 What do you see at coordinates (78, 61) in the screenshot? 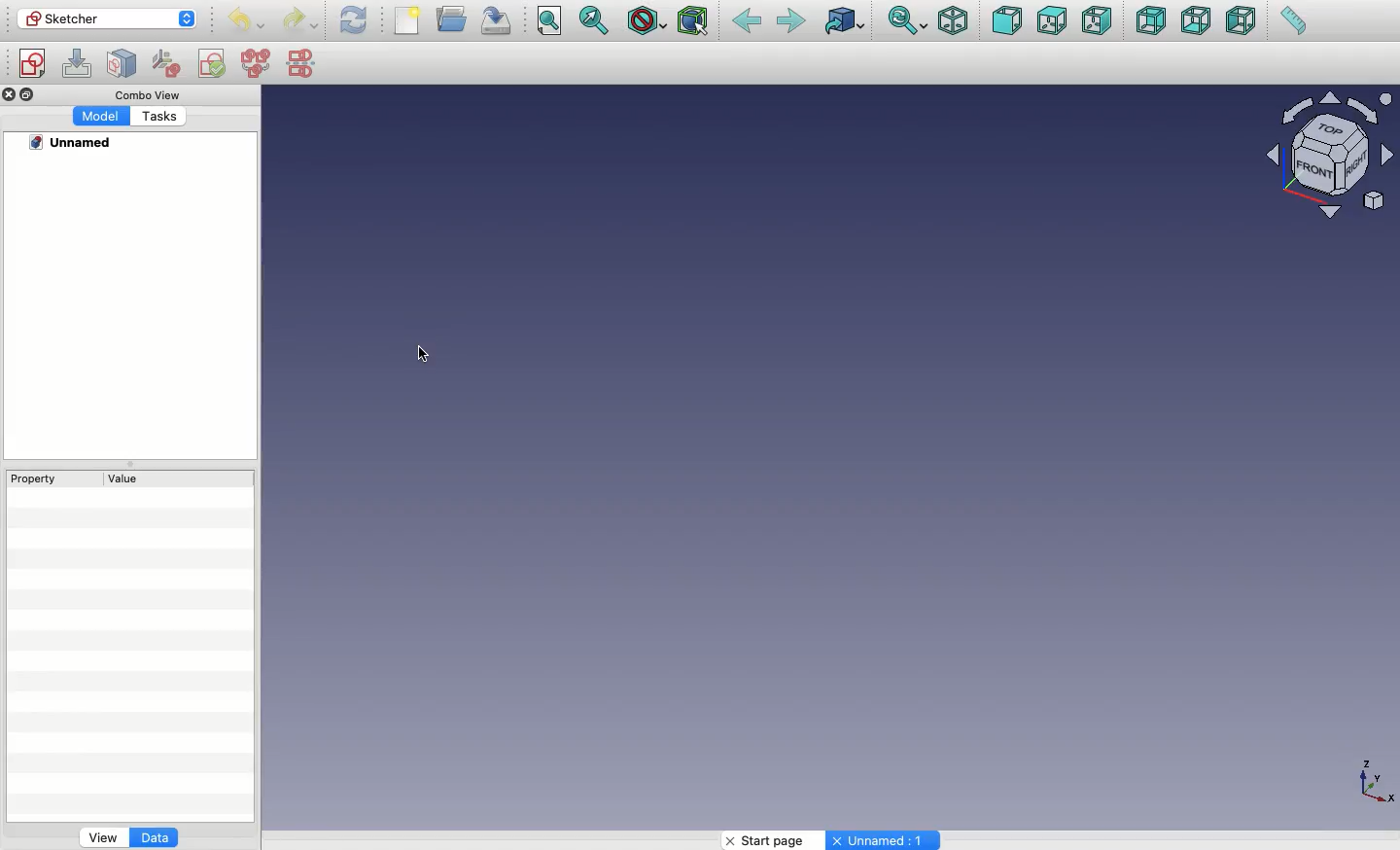
I see `Edit sketch` at bounding box center [78, 61].